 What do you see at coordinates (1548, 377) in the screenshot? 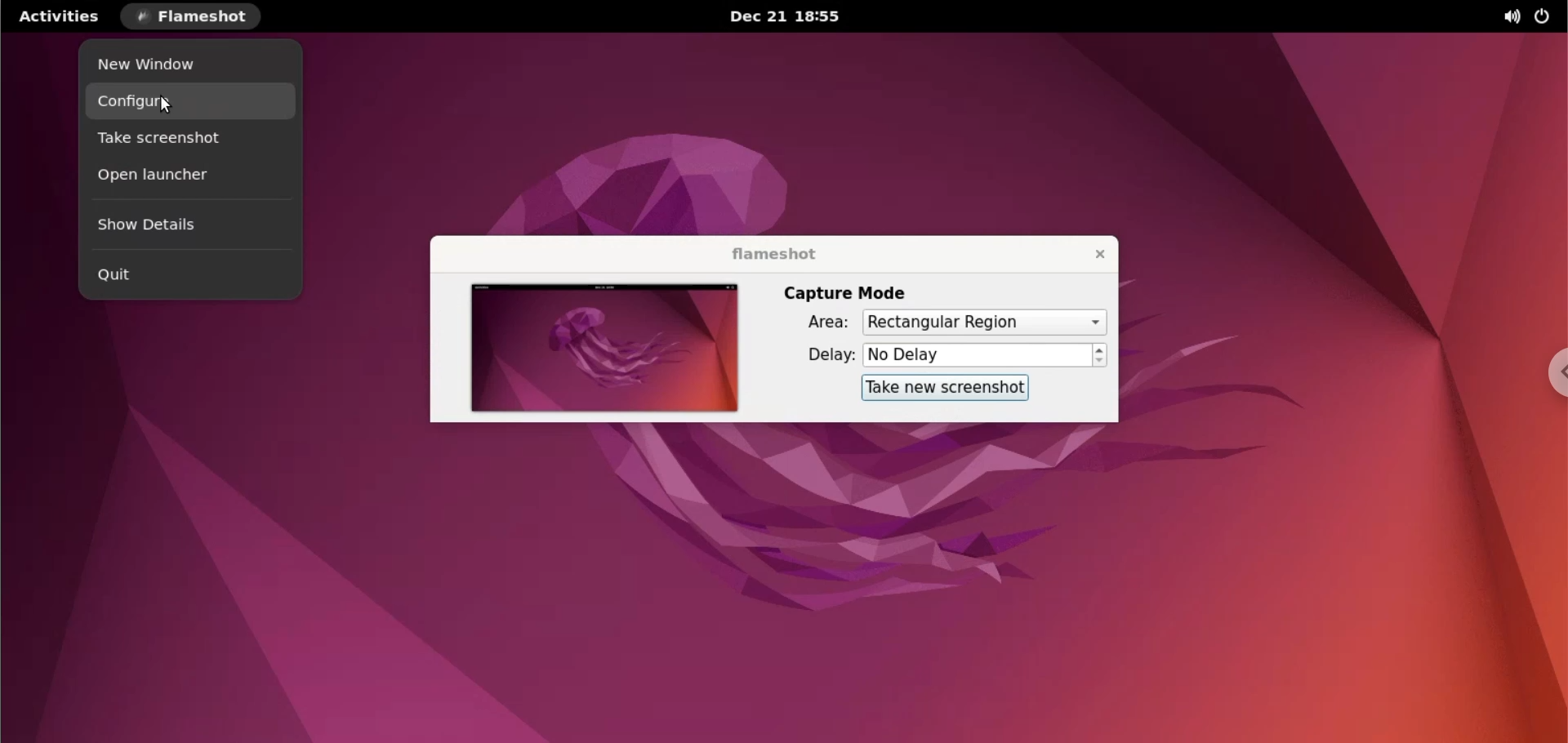
I see `chrome options` at bounding box center [1548, 377].